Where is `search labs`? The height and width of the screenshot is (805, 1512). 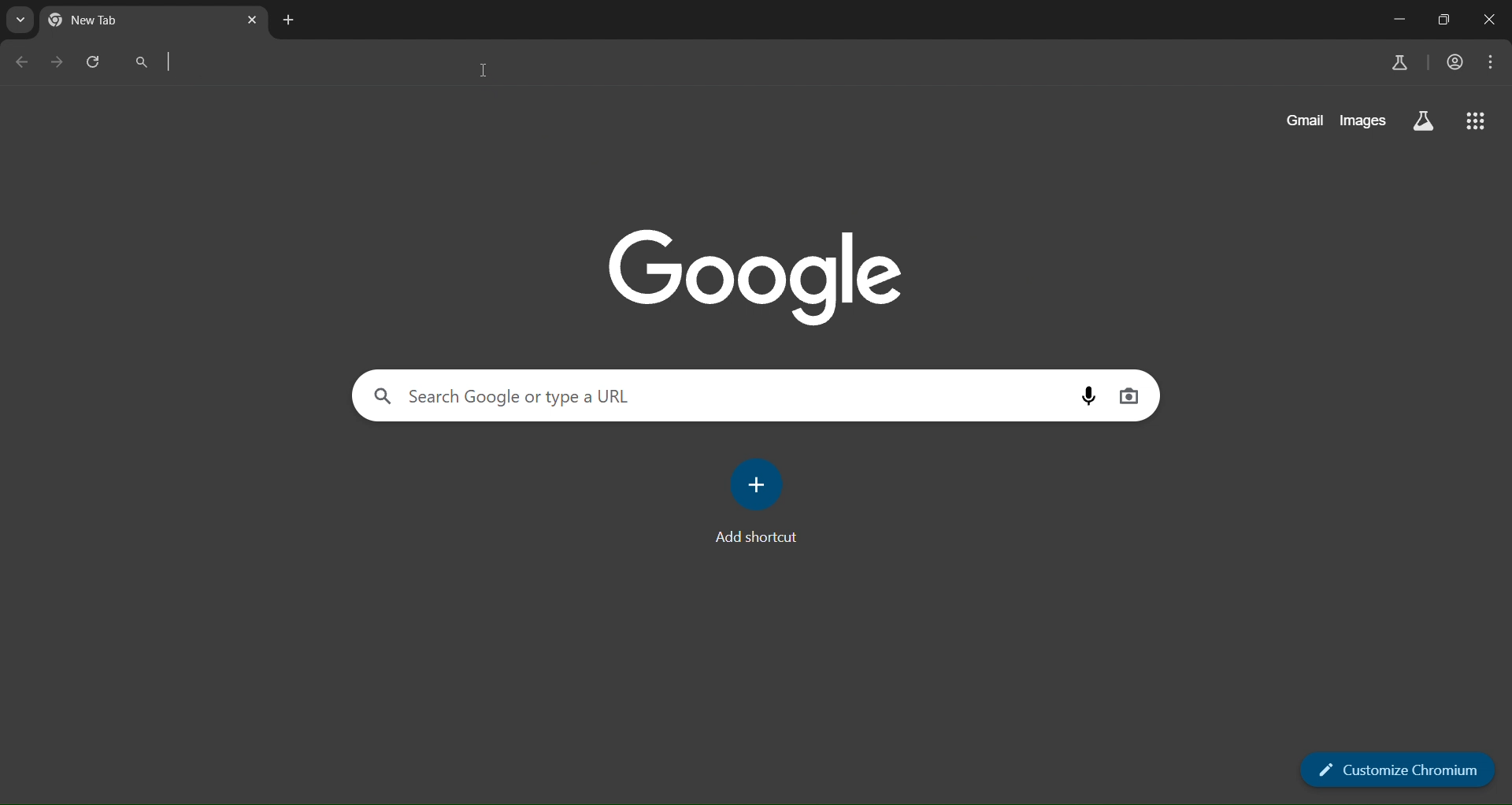 search labs is located at coordinates (1423, 121).